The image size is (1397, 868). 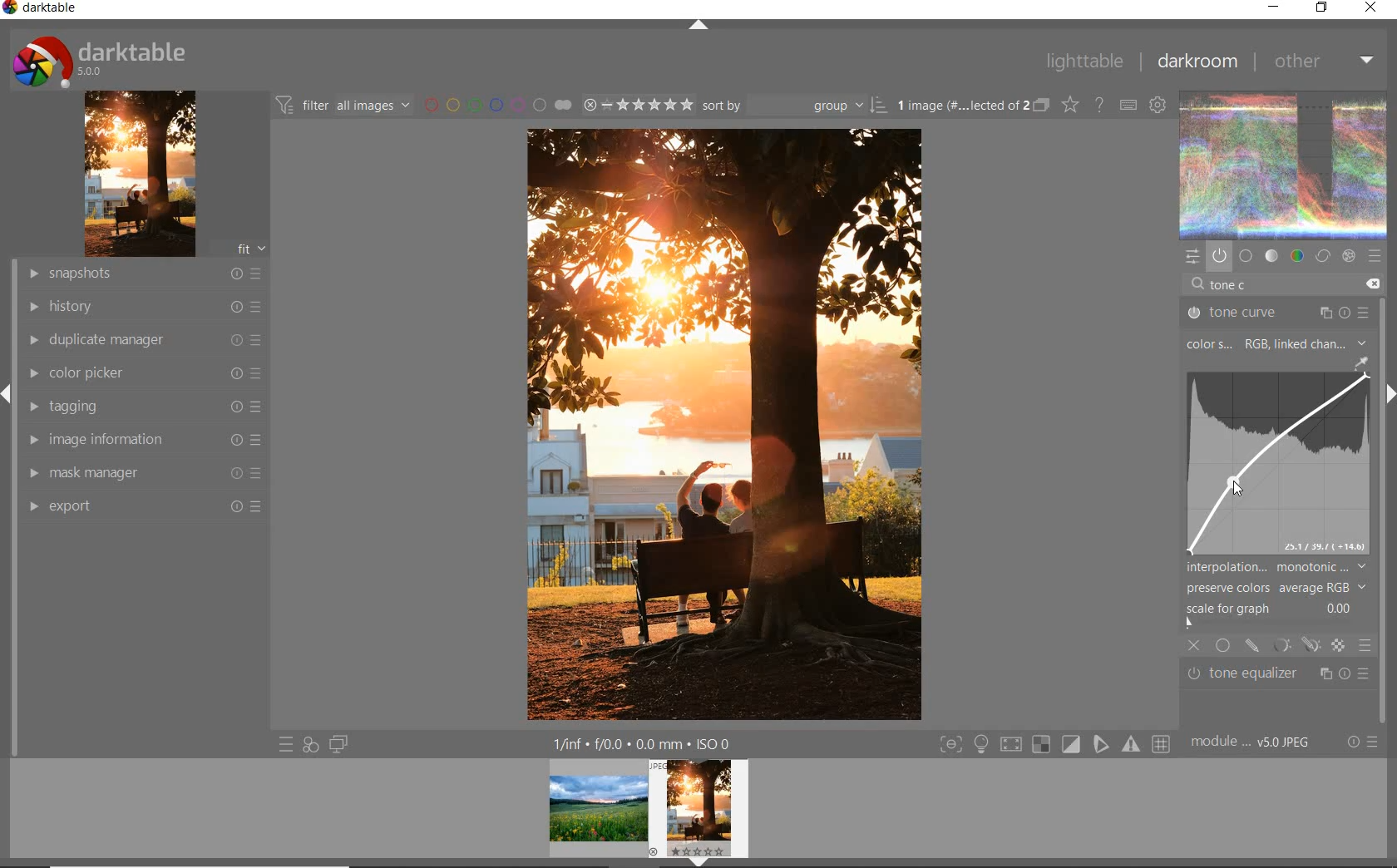 I want to click on Sort by, so click(x=794, y=106).